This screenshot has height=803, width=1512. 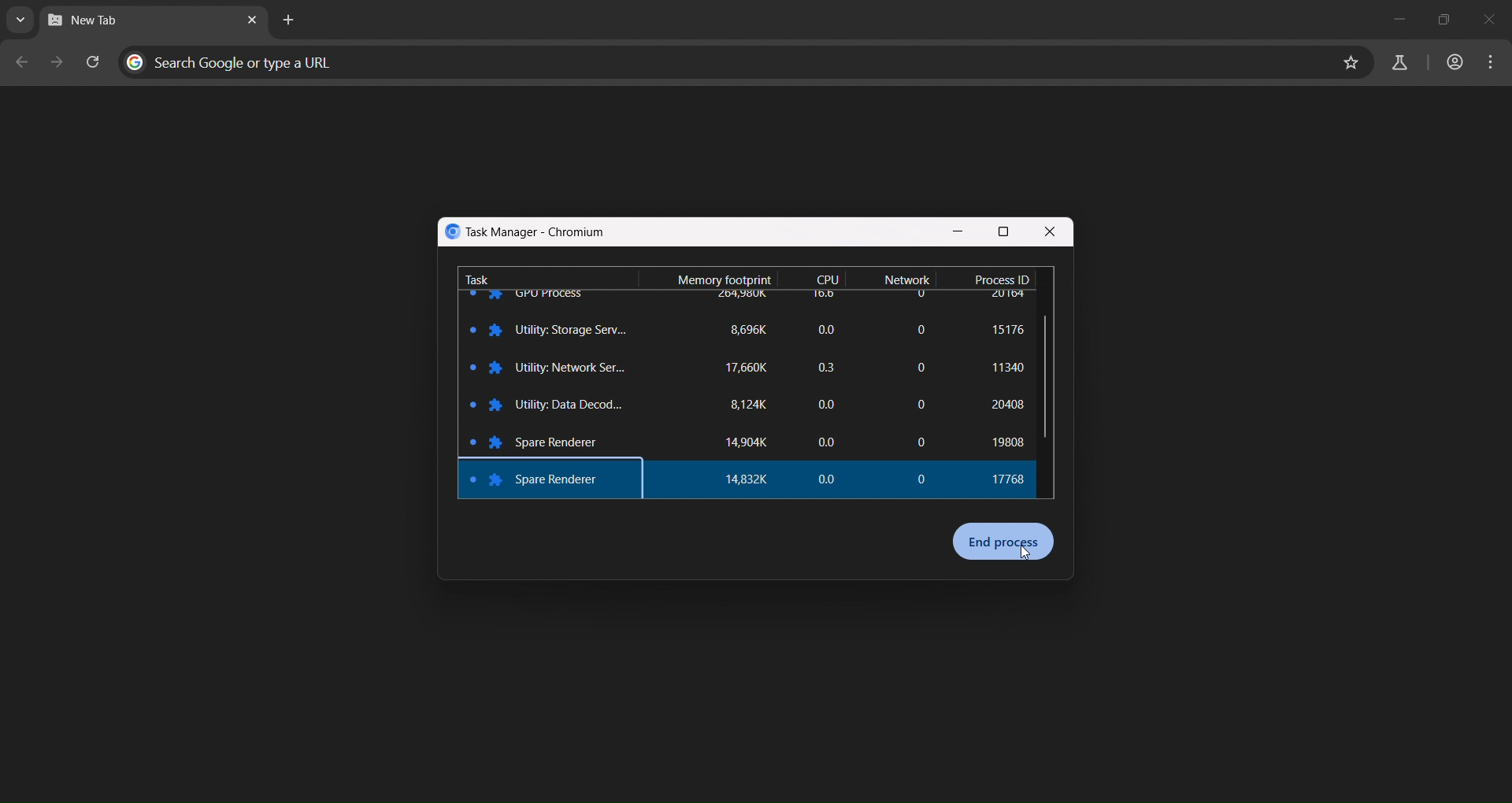 I want to click on 14,832K, so click(x=758, y=480).